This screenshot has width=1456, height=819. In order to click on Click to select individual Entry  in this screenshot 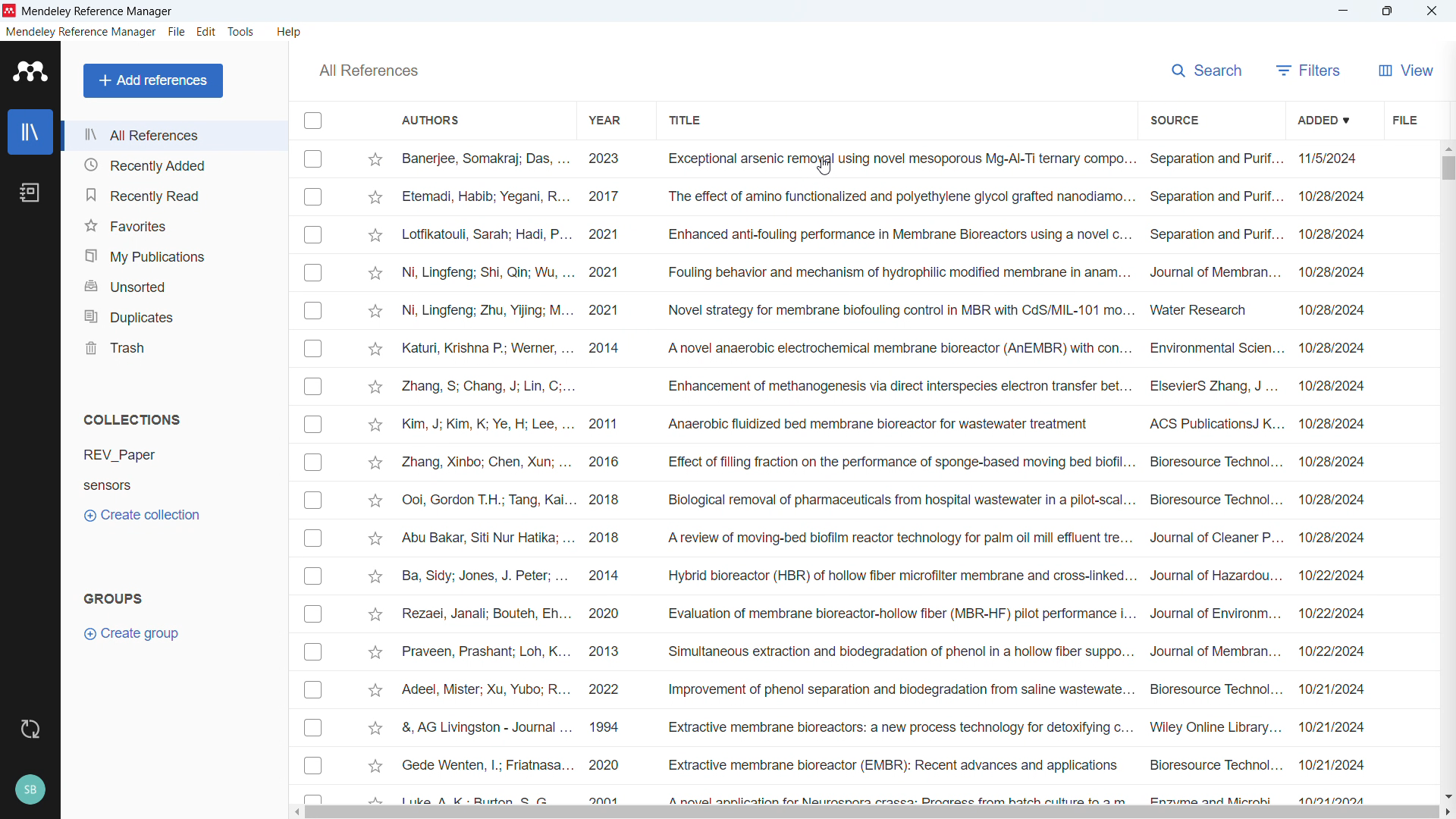, I will do `click(314, 158)`.